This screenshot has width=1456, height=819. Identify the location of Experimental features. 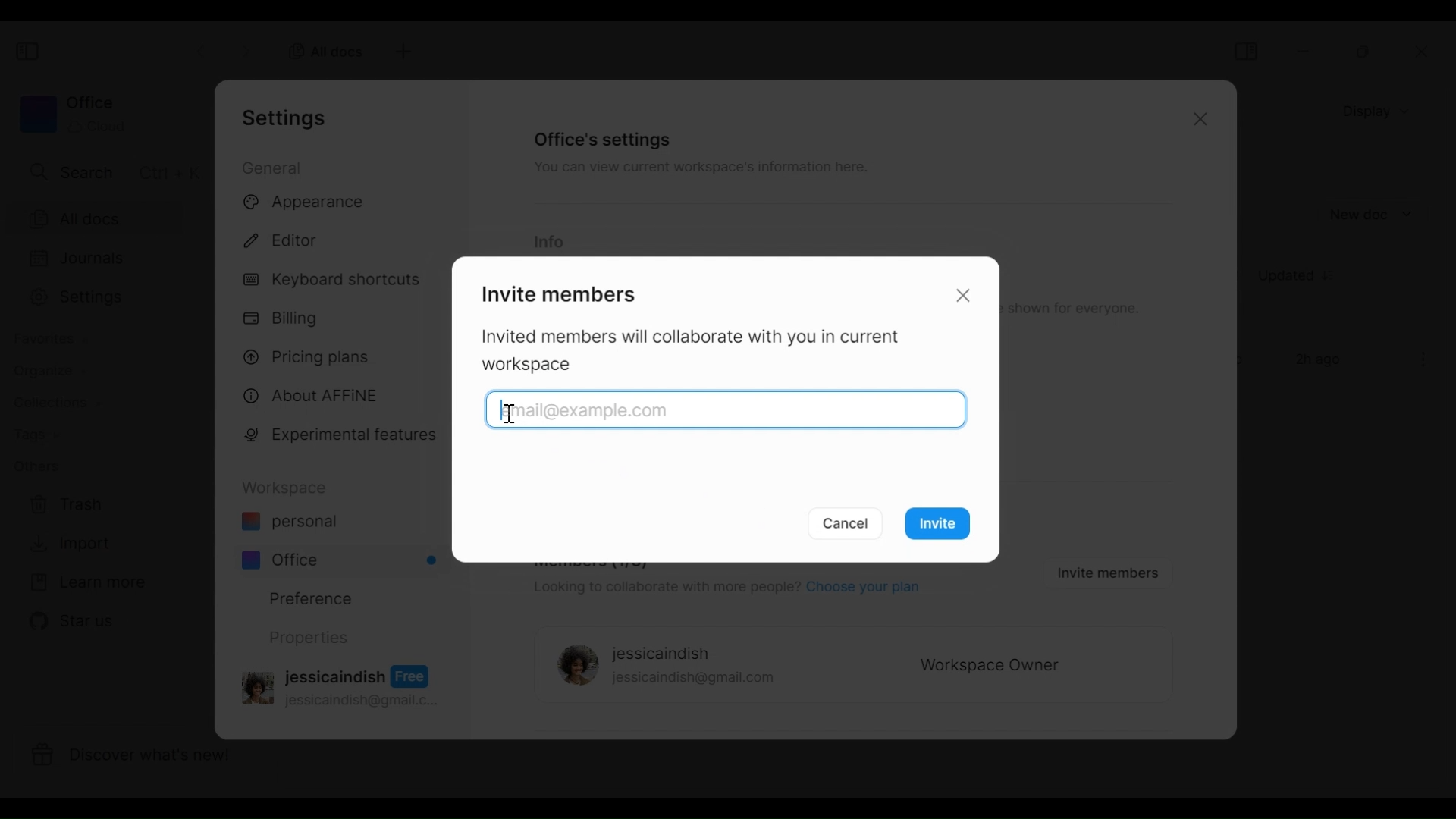
(344, 438).